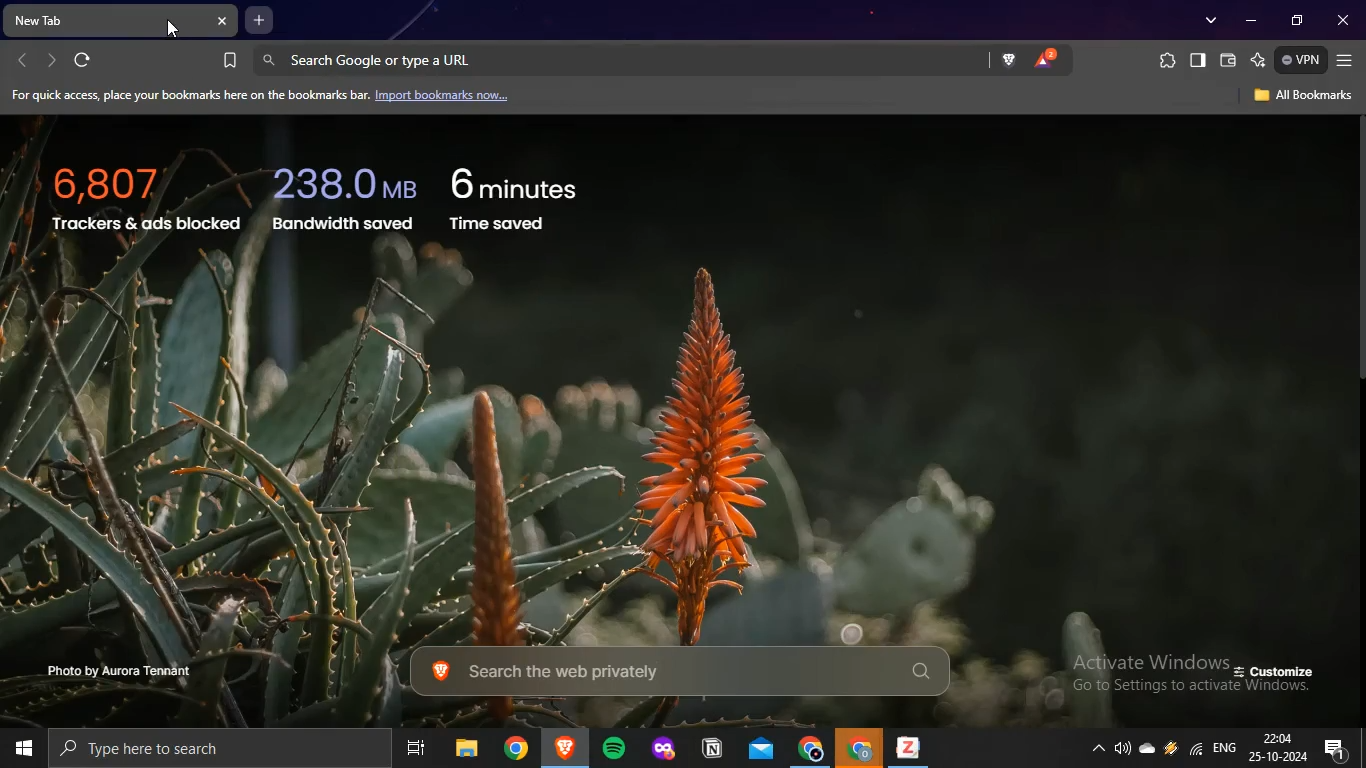  Describe the element at coordinates (1171, 746) in the screenshot. I see `winamp agent` at that location.